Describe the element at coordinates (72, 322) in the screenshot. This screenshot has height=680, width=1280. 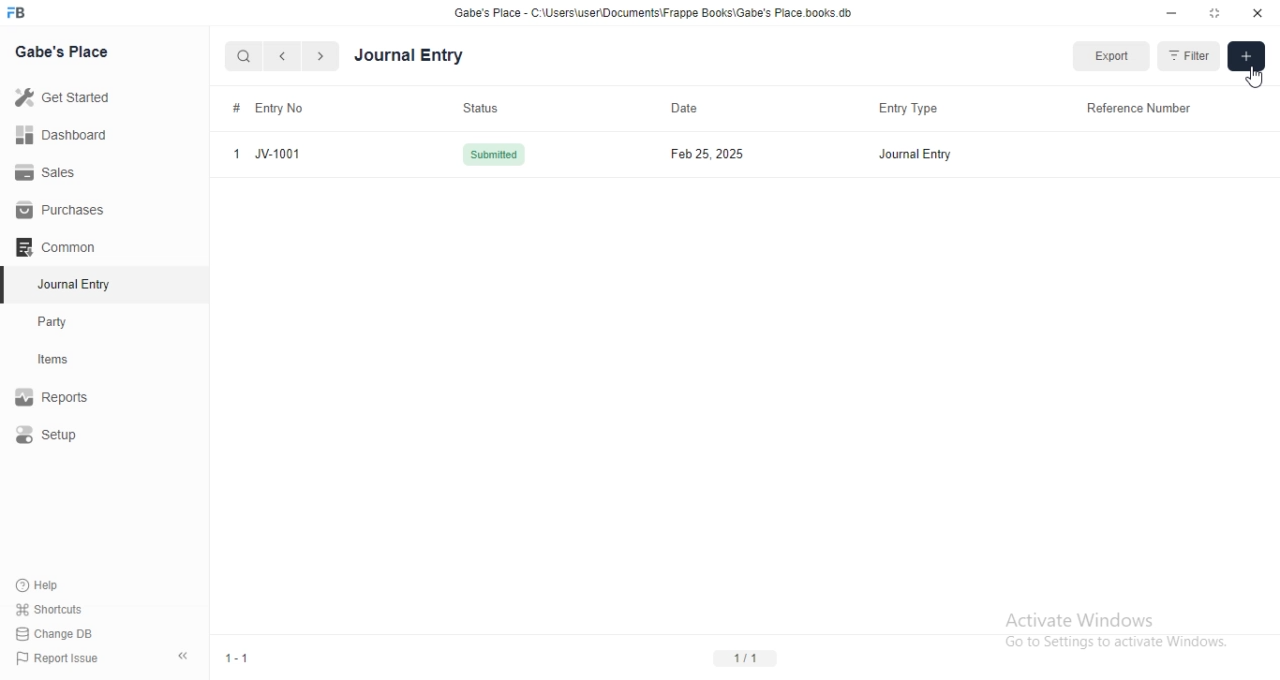
I see `Party` at that location.